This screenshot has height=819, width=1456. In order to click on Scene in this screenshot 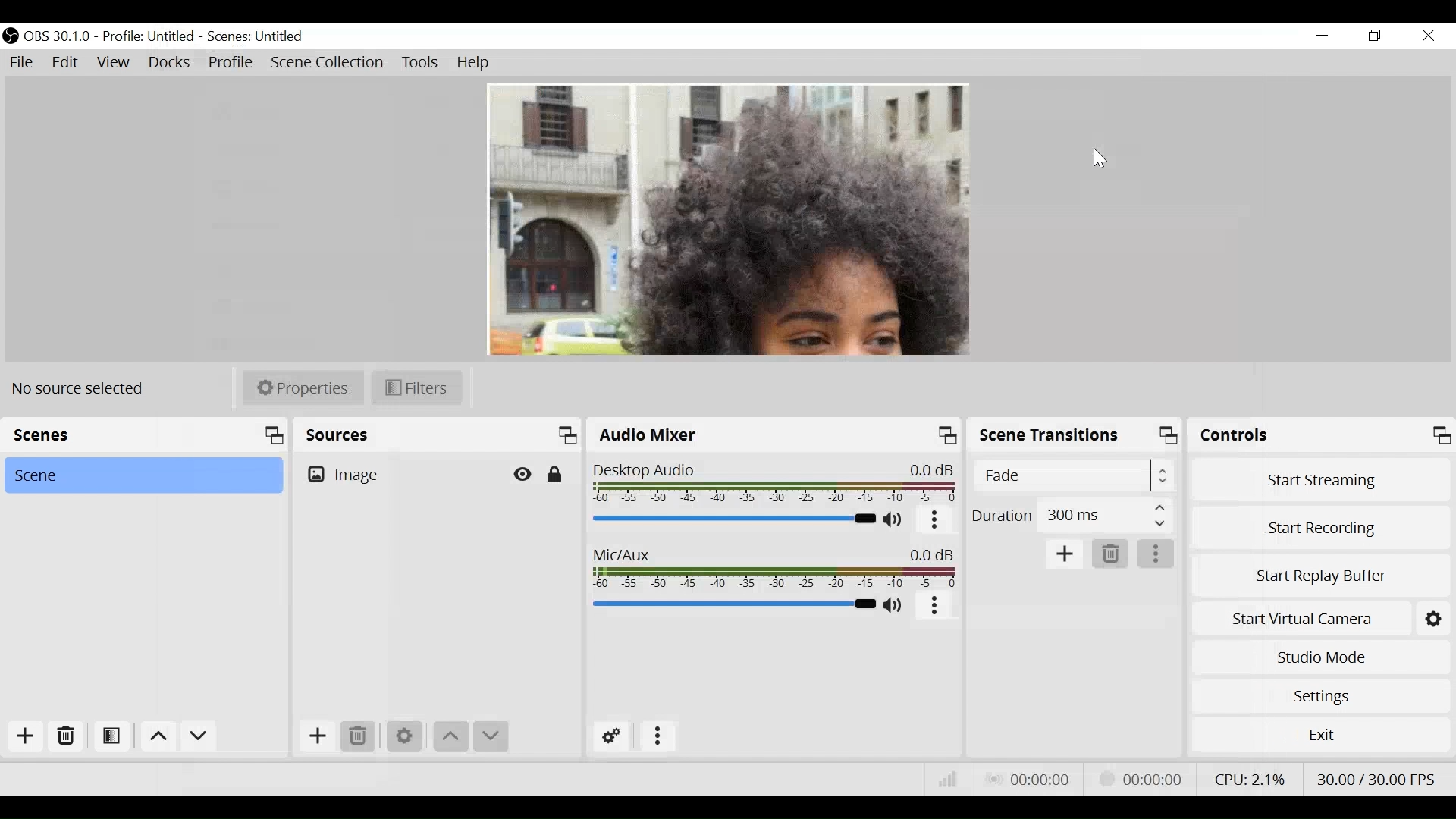, I will do `click(143, 476)`.